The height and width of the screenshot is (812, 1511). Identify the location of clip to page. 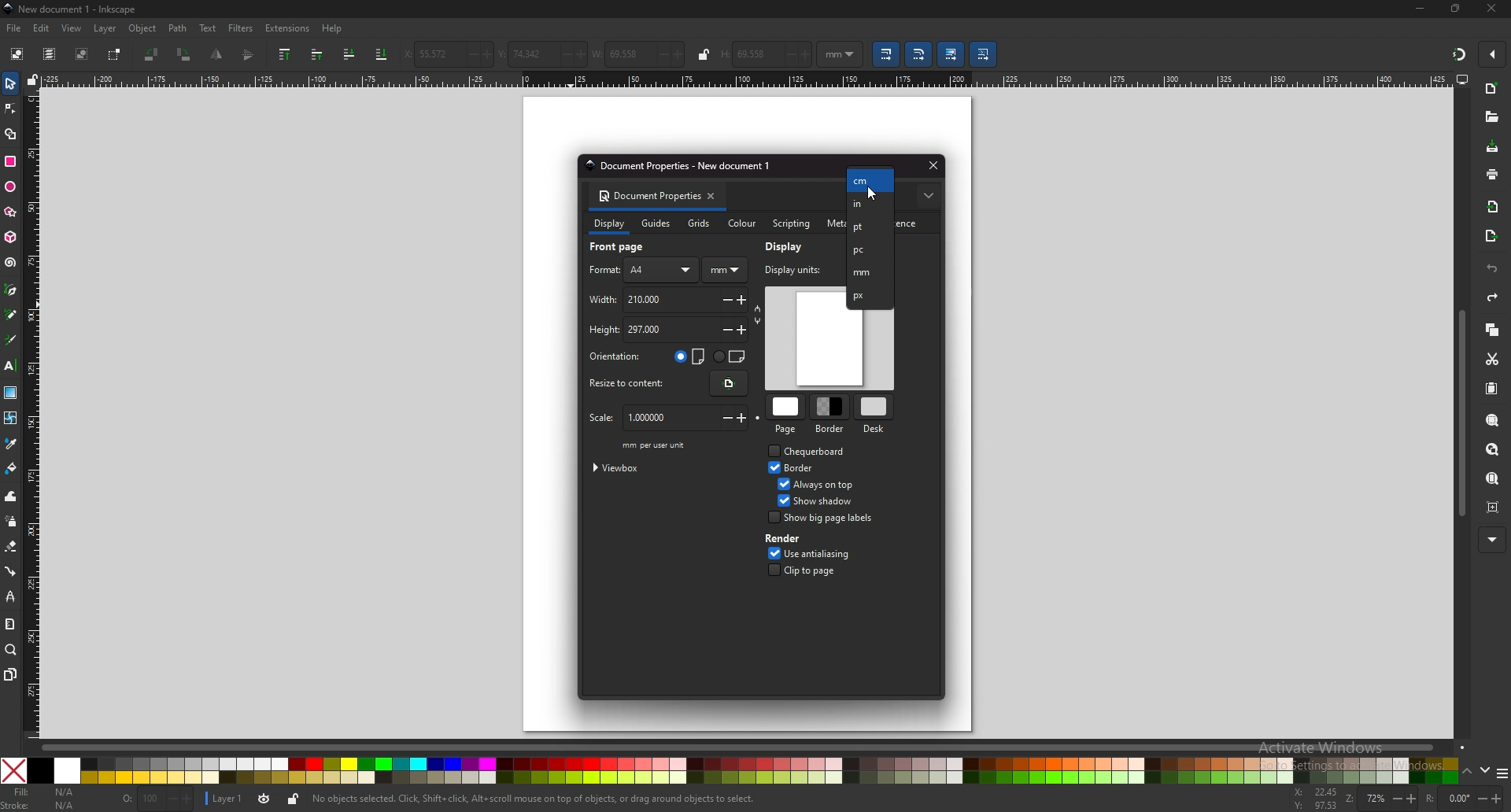
(818, 570).